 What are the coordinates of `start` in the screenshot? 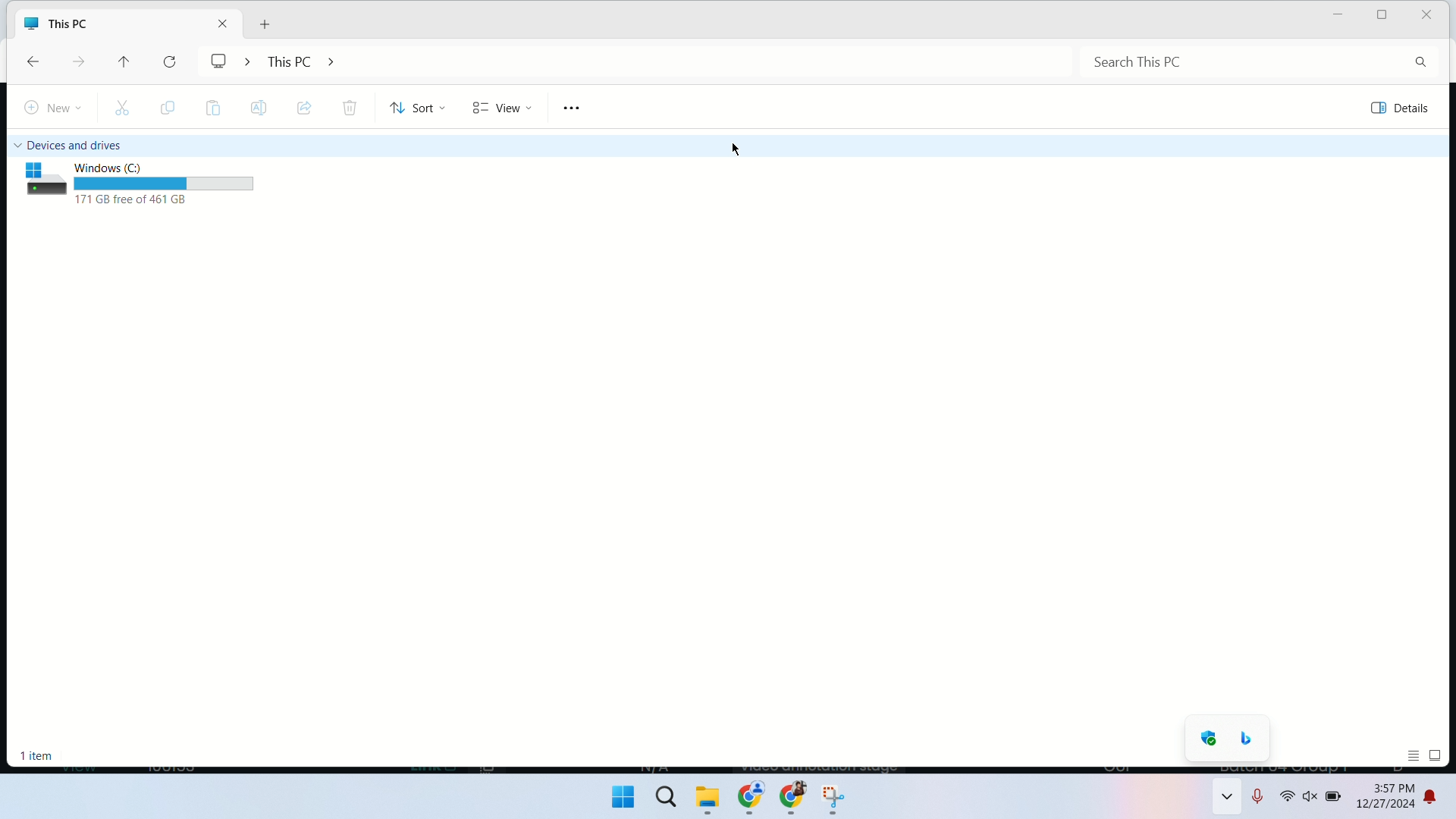 It's located at (617, 799).